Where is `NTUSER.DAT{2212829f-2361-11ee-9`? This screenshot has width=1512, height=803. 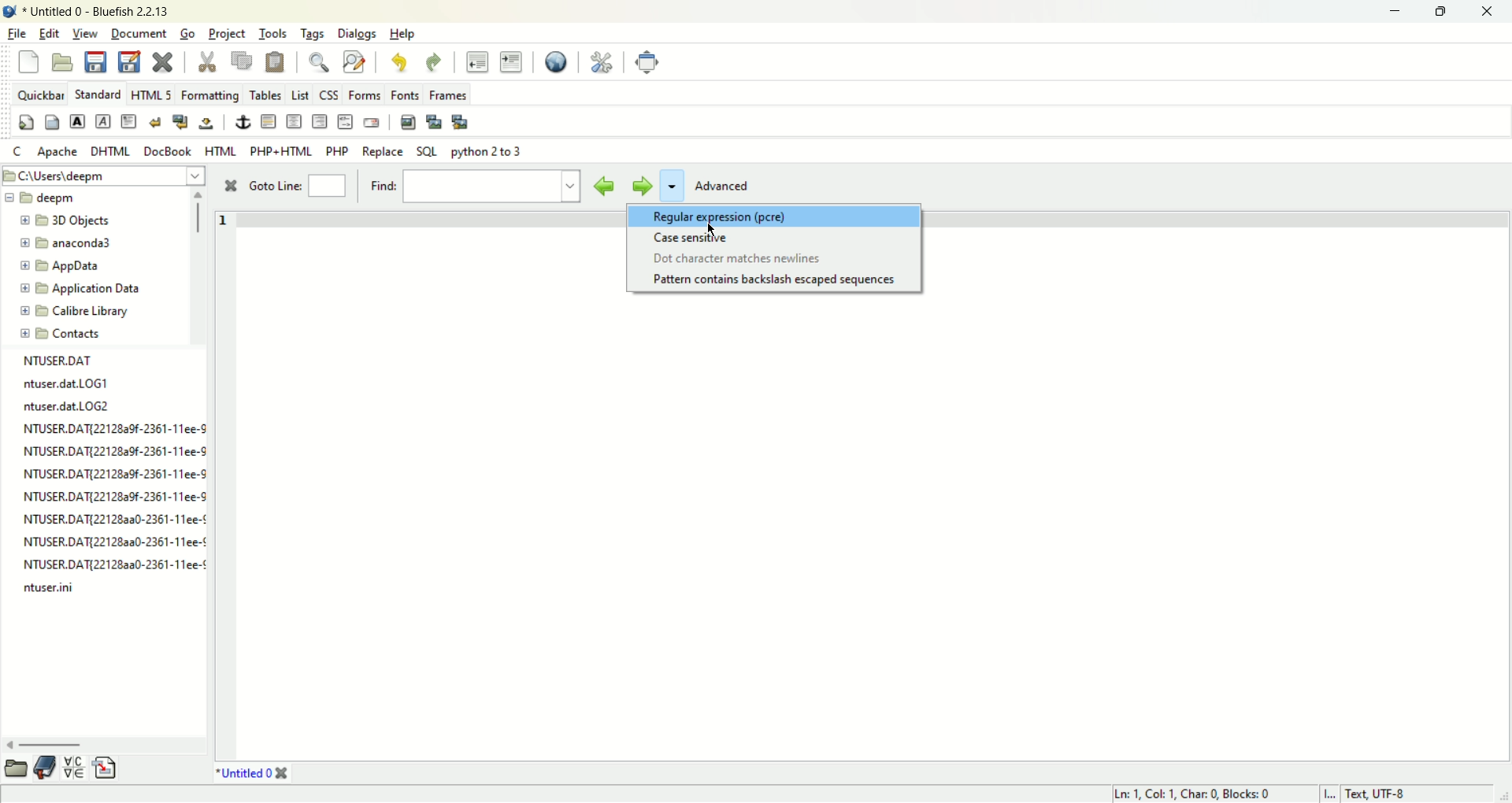 NTUSER.DAT{2212829f-2361-11ee-9 is located at coordinates (113, 451).